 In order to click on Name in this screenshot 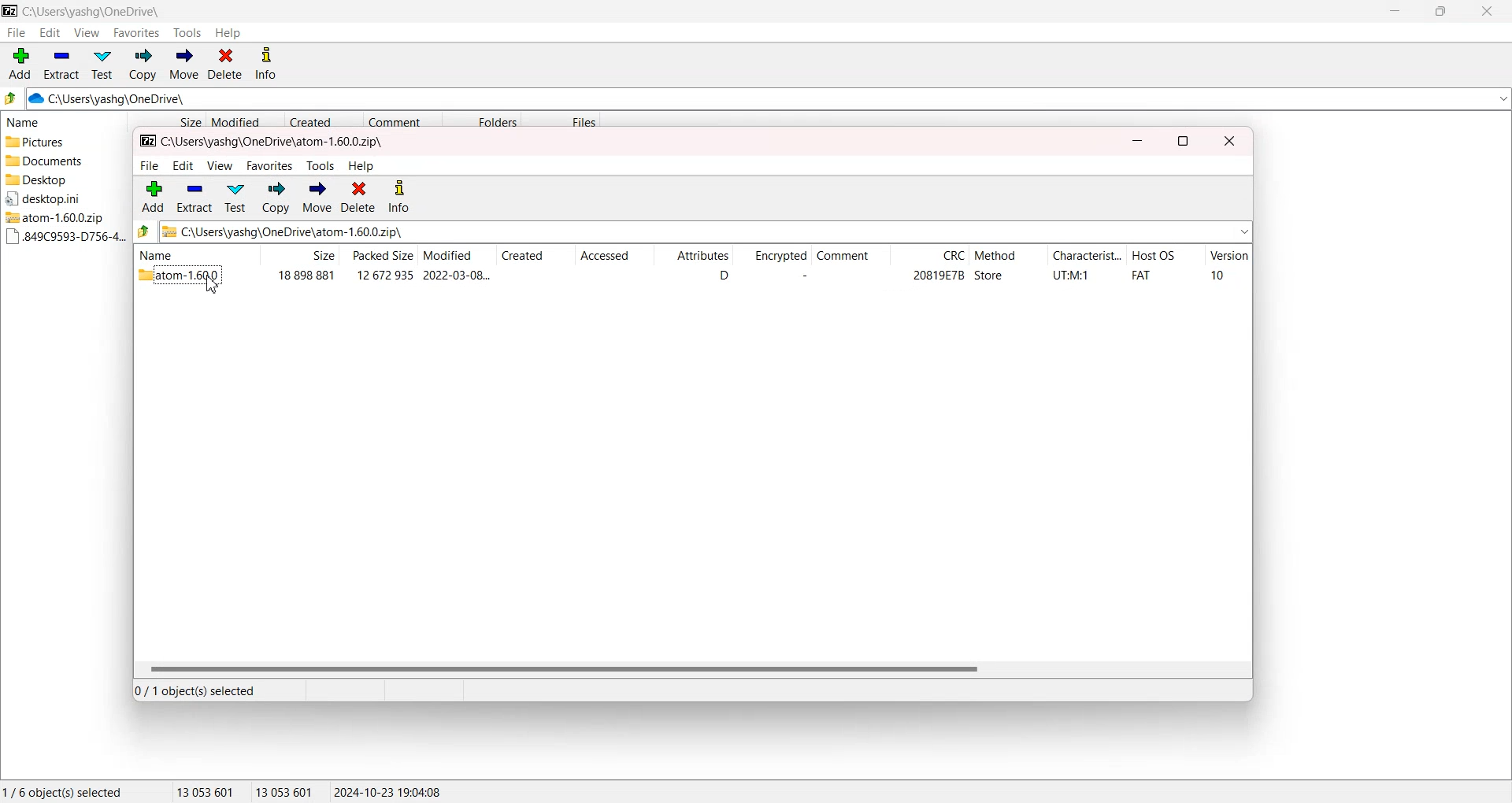, I will do `click(193, 254)`.